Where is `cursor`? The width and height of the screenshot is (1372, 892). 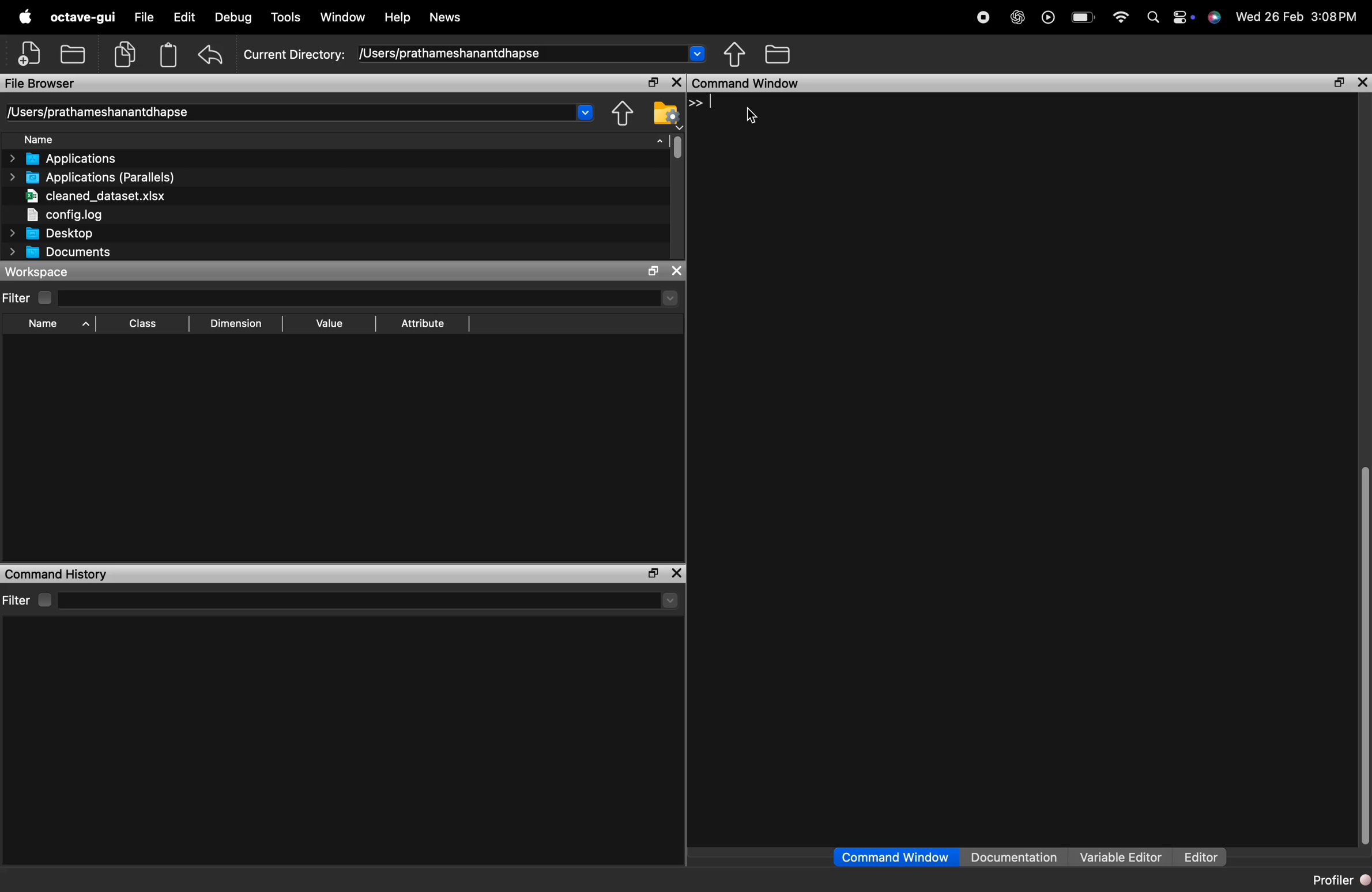
cursor is located at coordinates (752, 115).